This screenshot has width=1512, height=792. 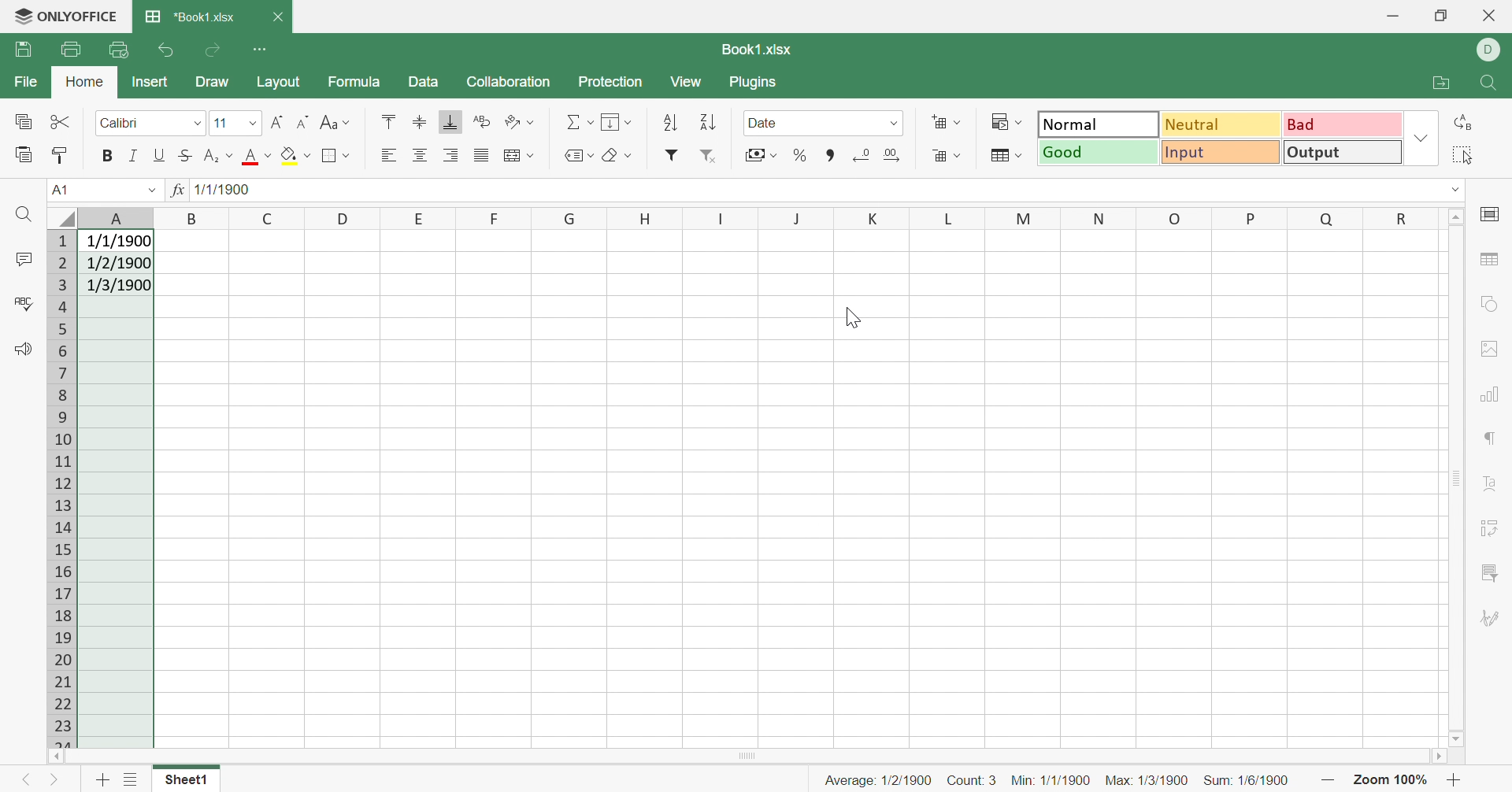 What do you see at coordinates (710, 156) in the screenshot?
I see `Remove filter` at bounding box center [710, 156].